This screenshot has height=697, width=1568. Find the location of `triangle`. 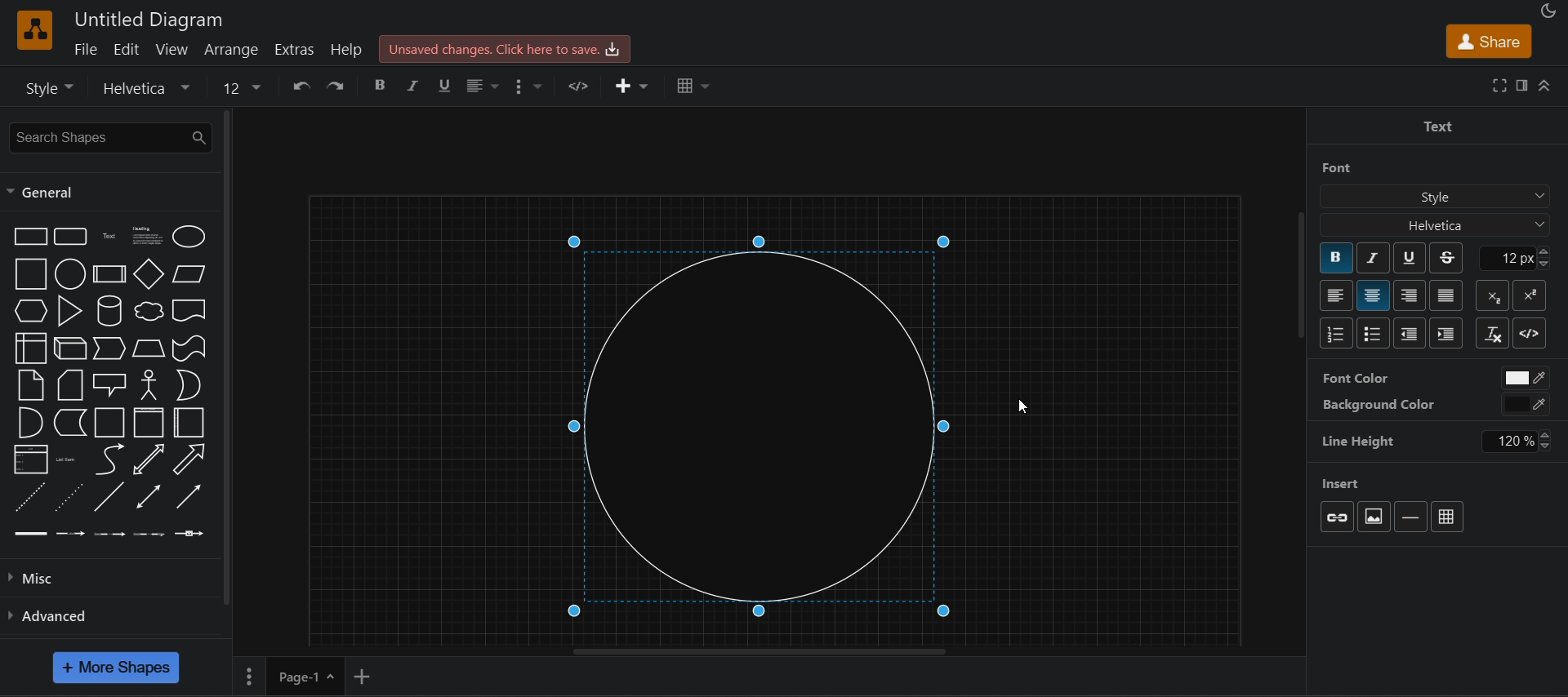

triangle is located at coordinates (73, 311).